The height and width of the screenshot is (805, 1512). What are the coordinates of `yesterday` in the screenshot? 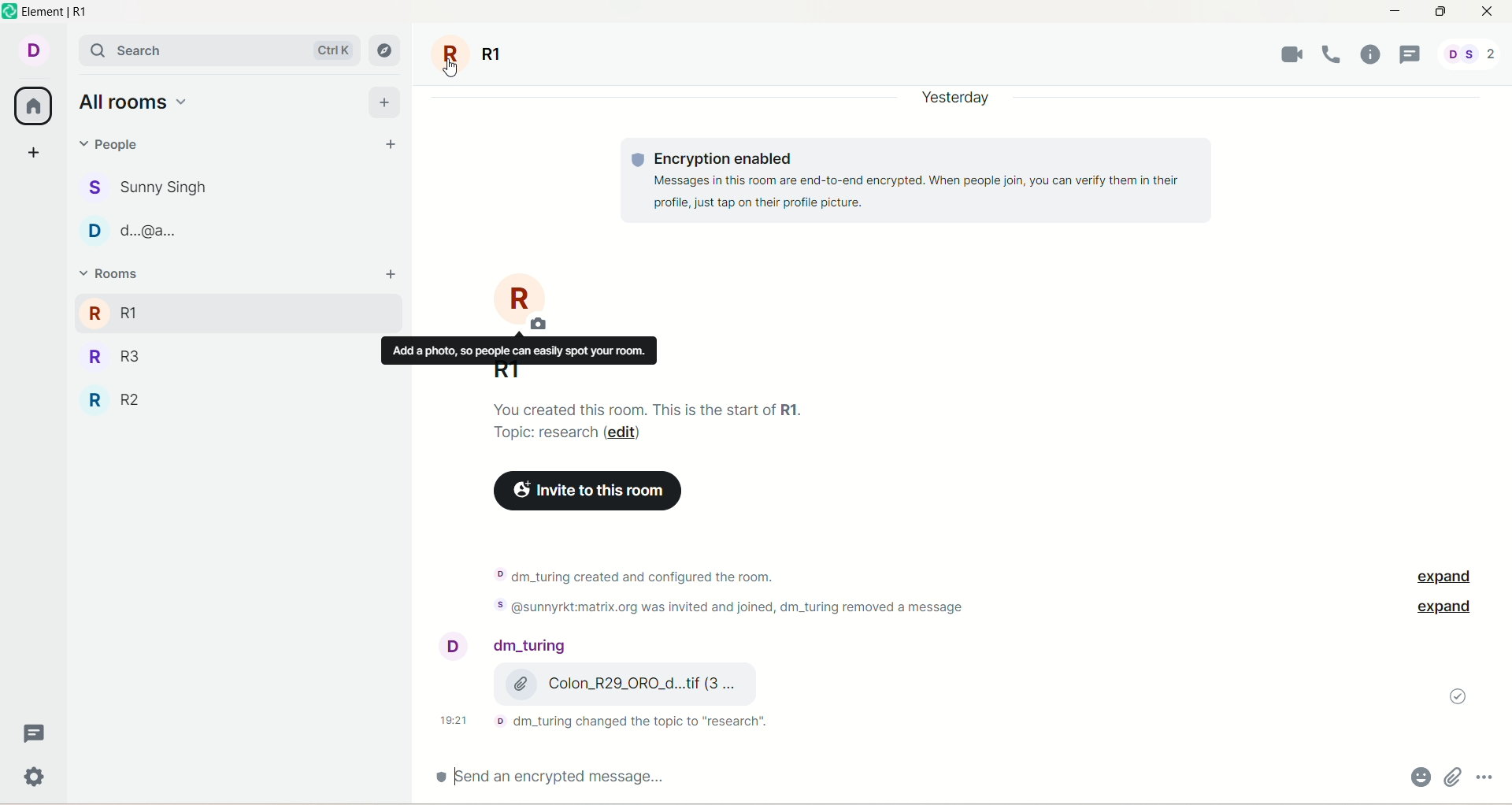 It's located at (956, 103).